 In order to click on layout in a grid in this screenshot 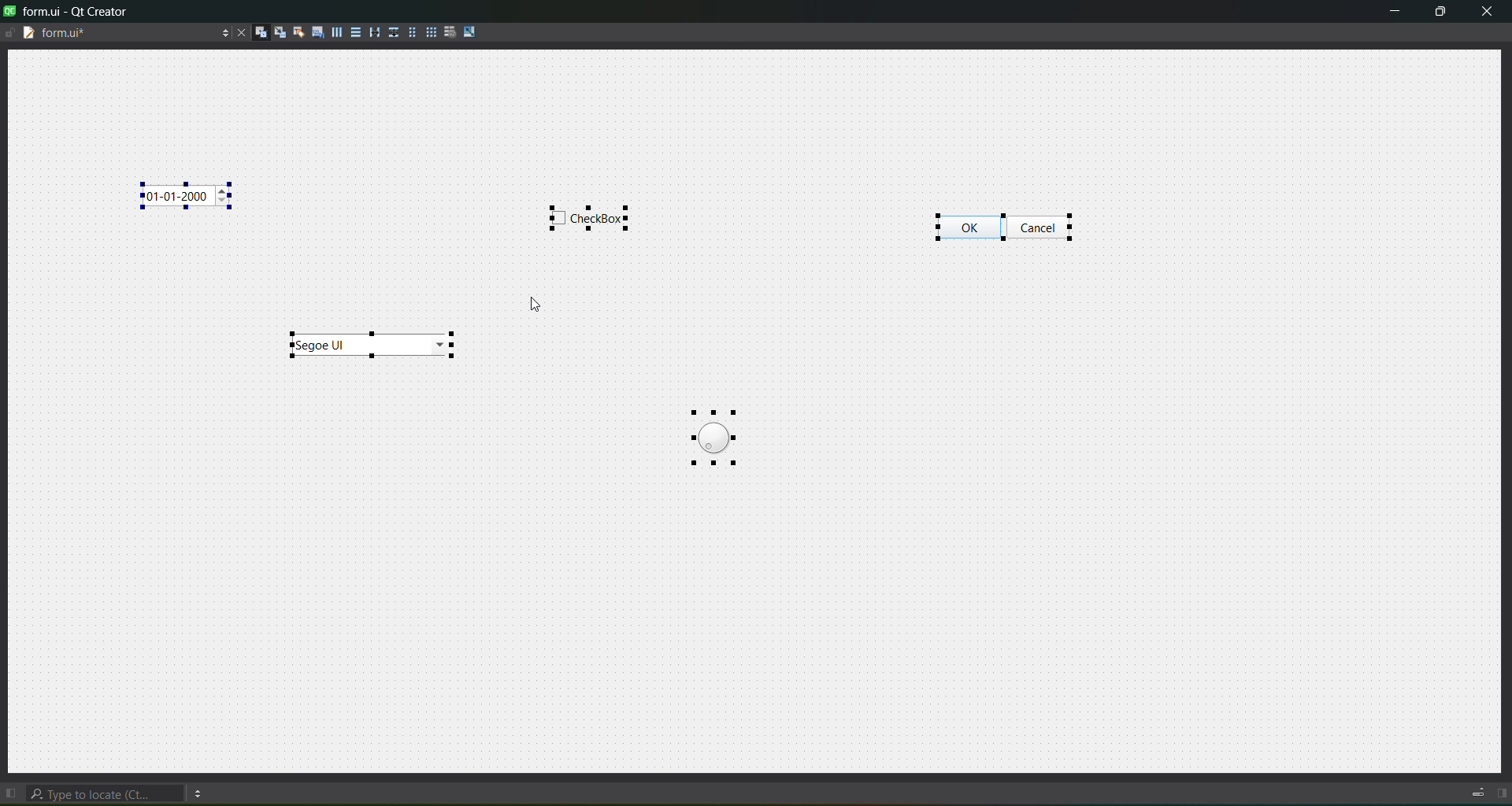, I will do `click(430, 31)`.